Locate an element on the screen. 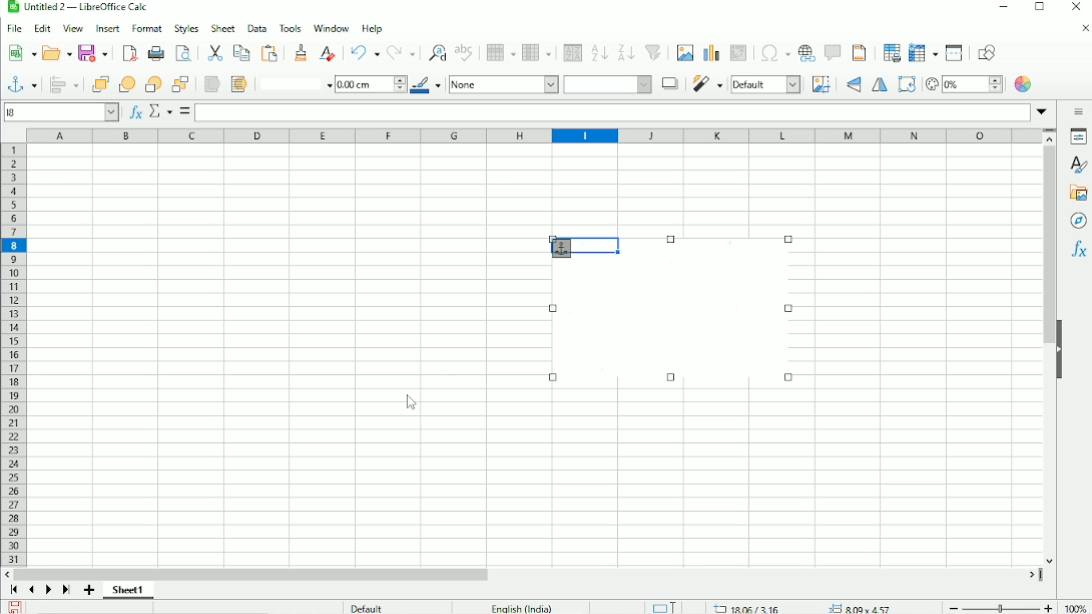  crop image is located at coordinates (823, 84).